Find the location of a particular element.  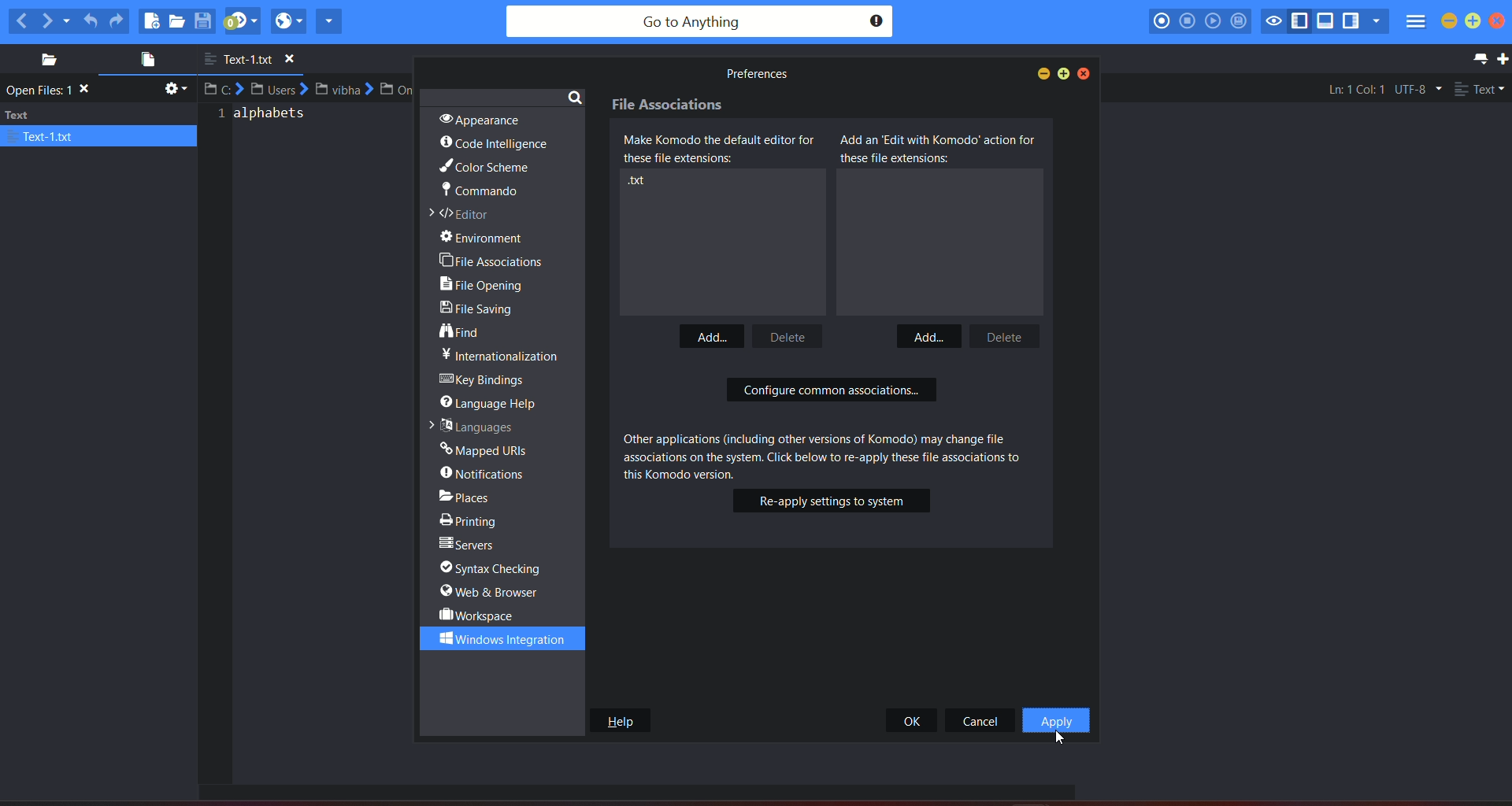

languages is located at coordinates (469, 425).